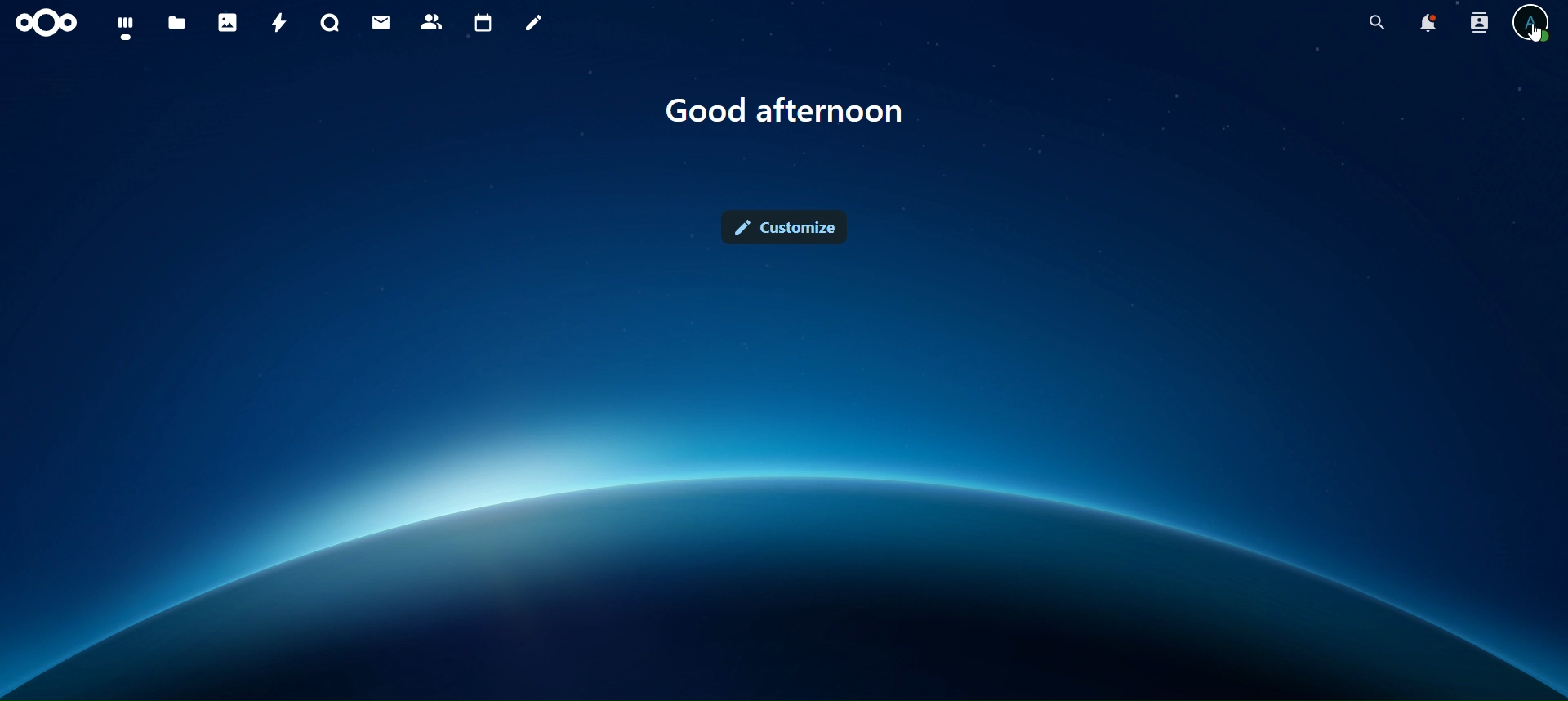  Describe the element at coordinates (229, 23) in the screenshot. I see `photos` at that location.